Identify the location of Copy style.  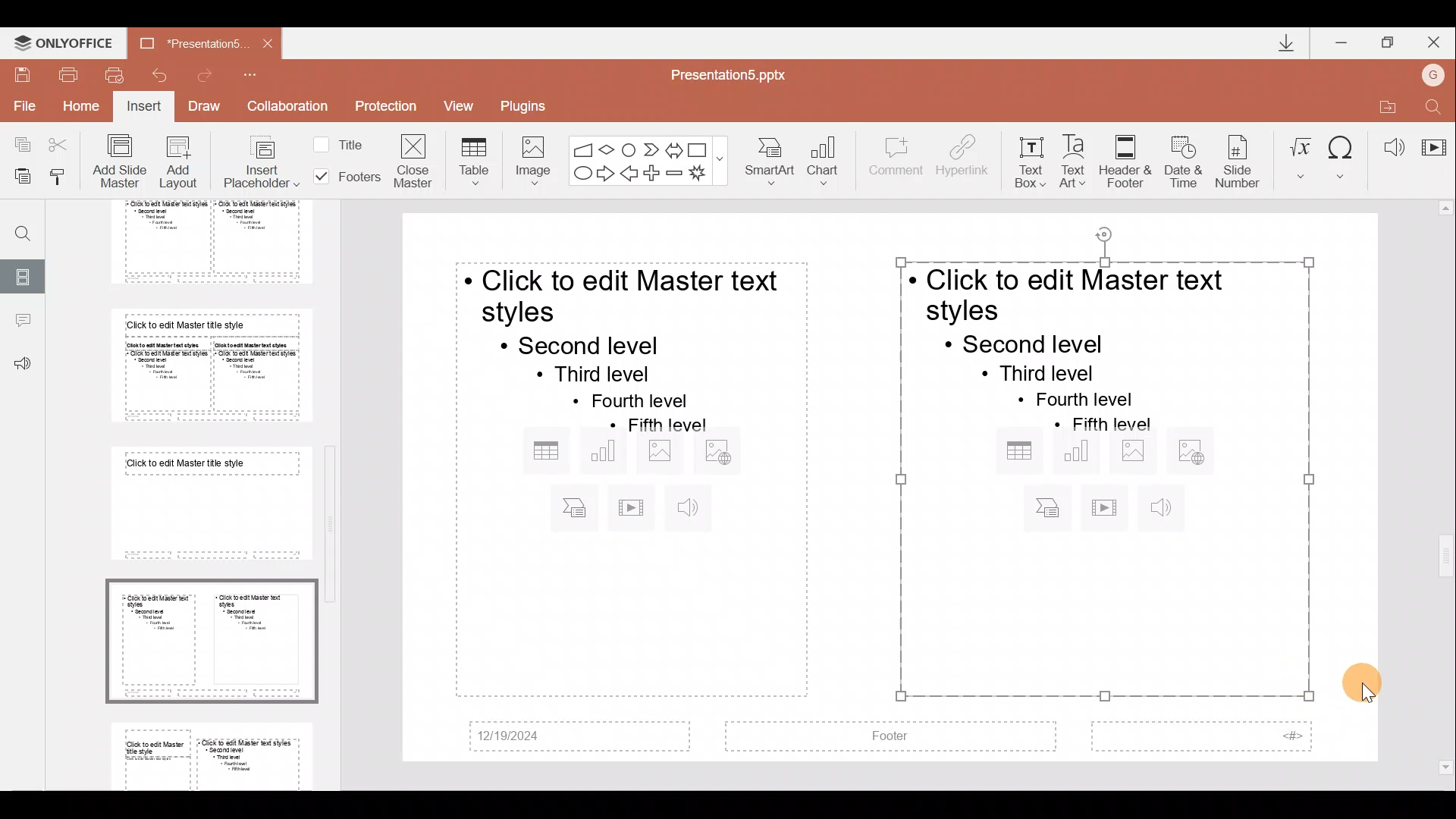
(64, 176).